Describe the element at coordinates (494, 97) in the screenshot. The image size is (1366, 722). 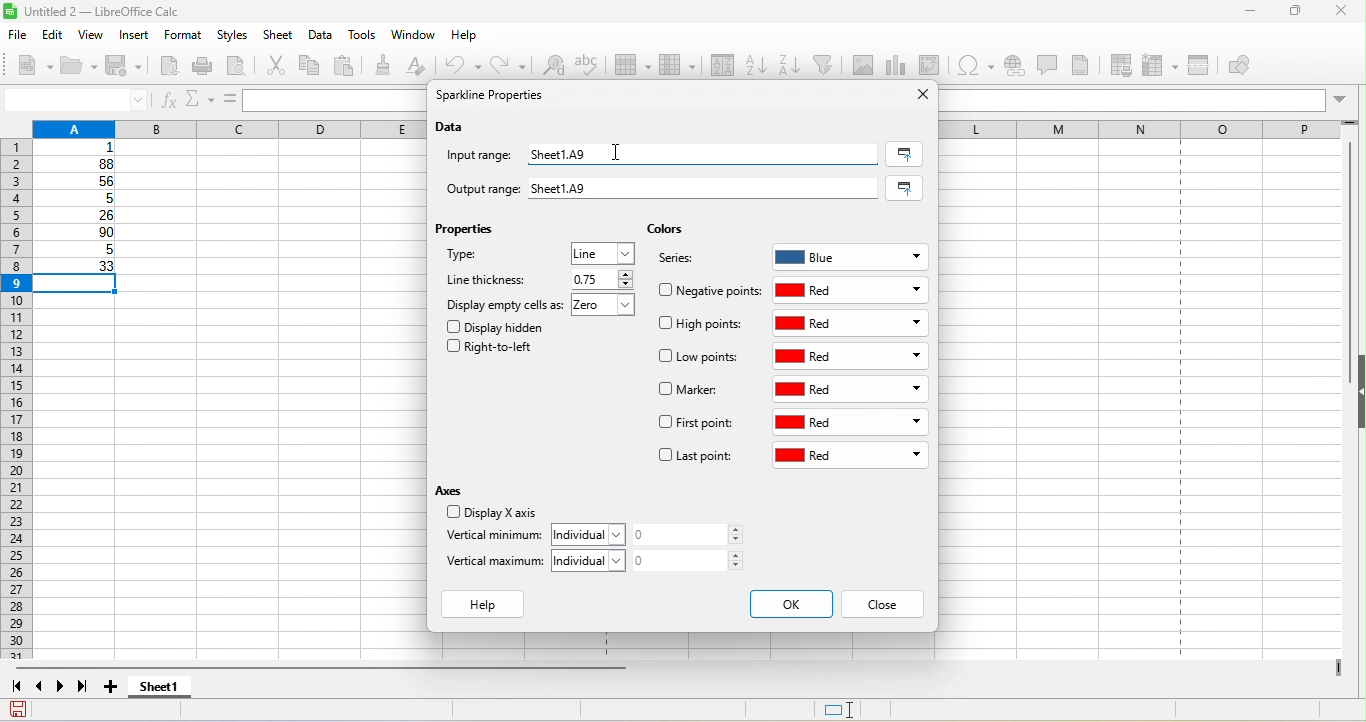
I see `sparkline properties` at that location.